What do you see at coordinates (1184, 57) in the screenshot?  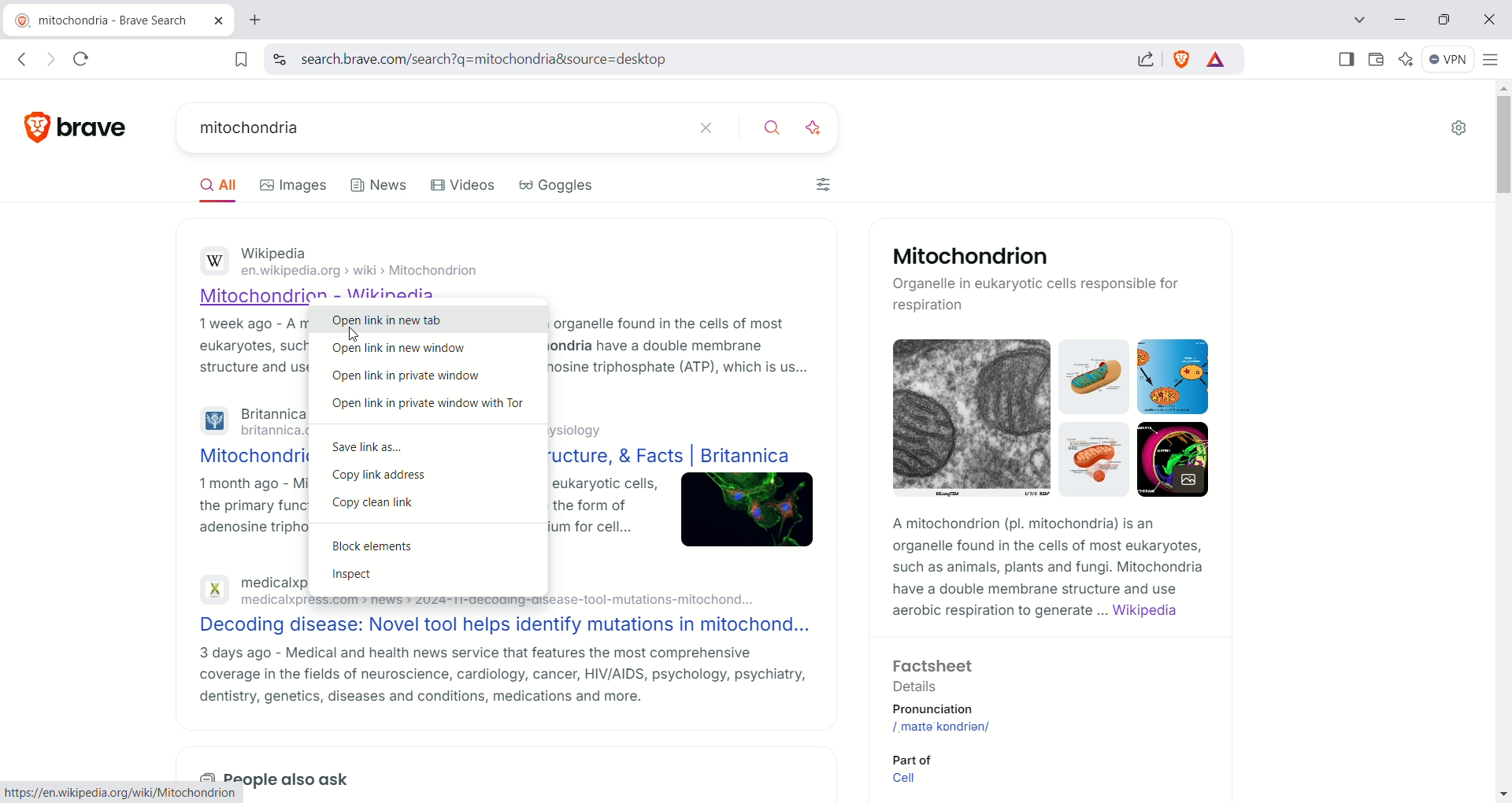 I see `shield` at bounding box center [1184, 57].